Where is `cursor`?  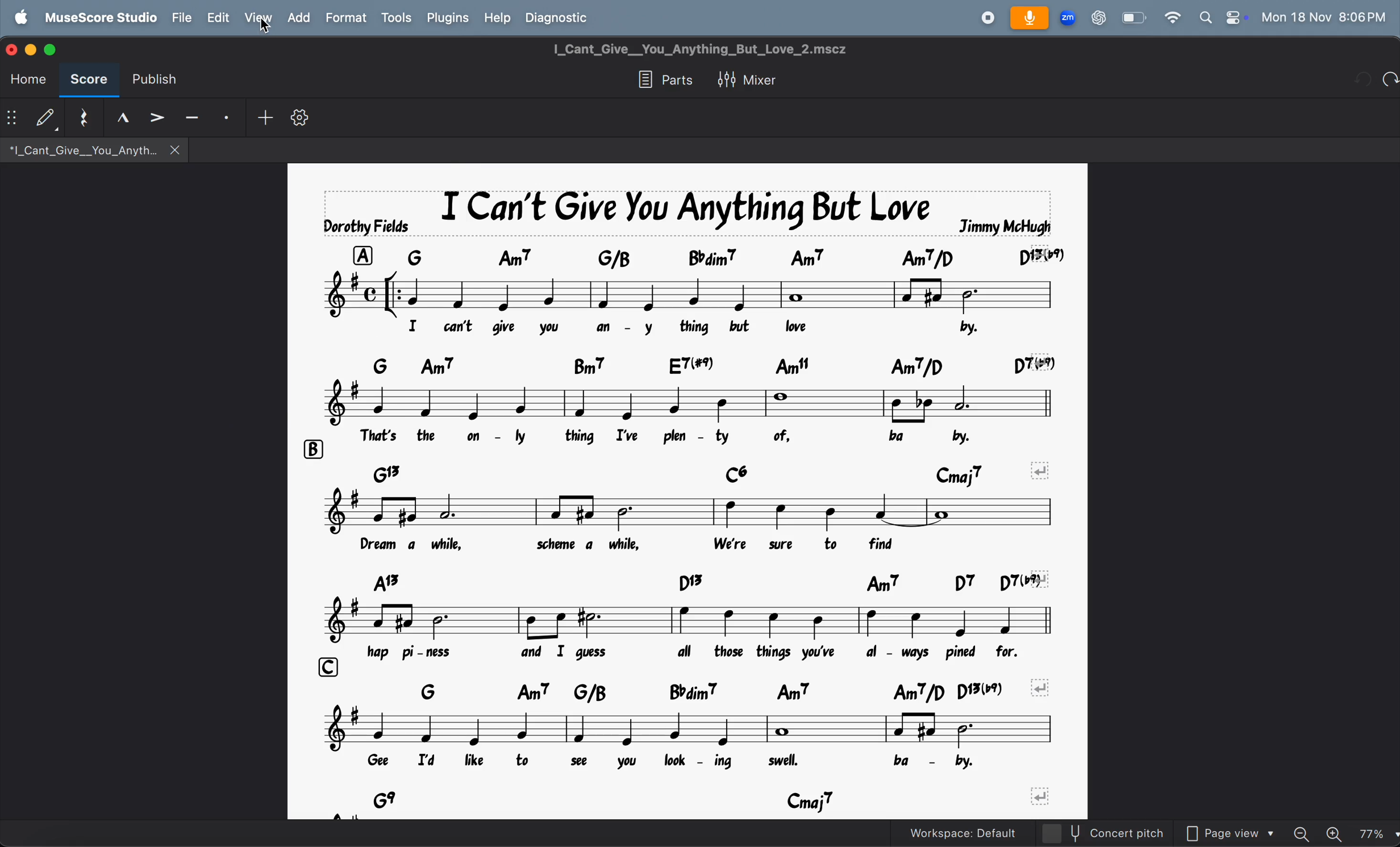 cursor is located at coordinates (266, 27).